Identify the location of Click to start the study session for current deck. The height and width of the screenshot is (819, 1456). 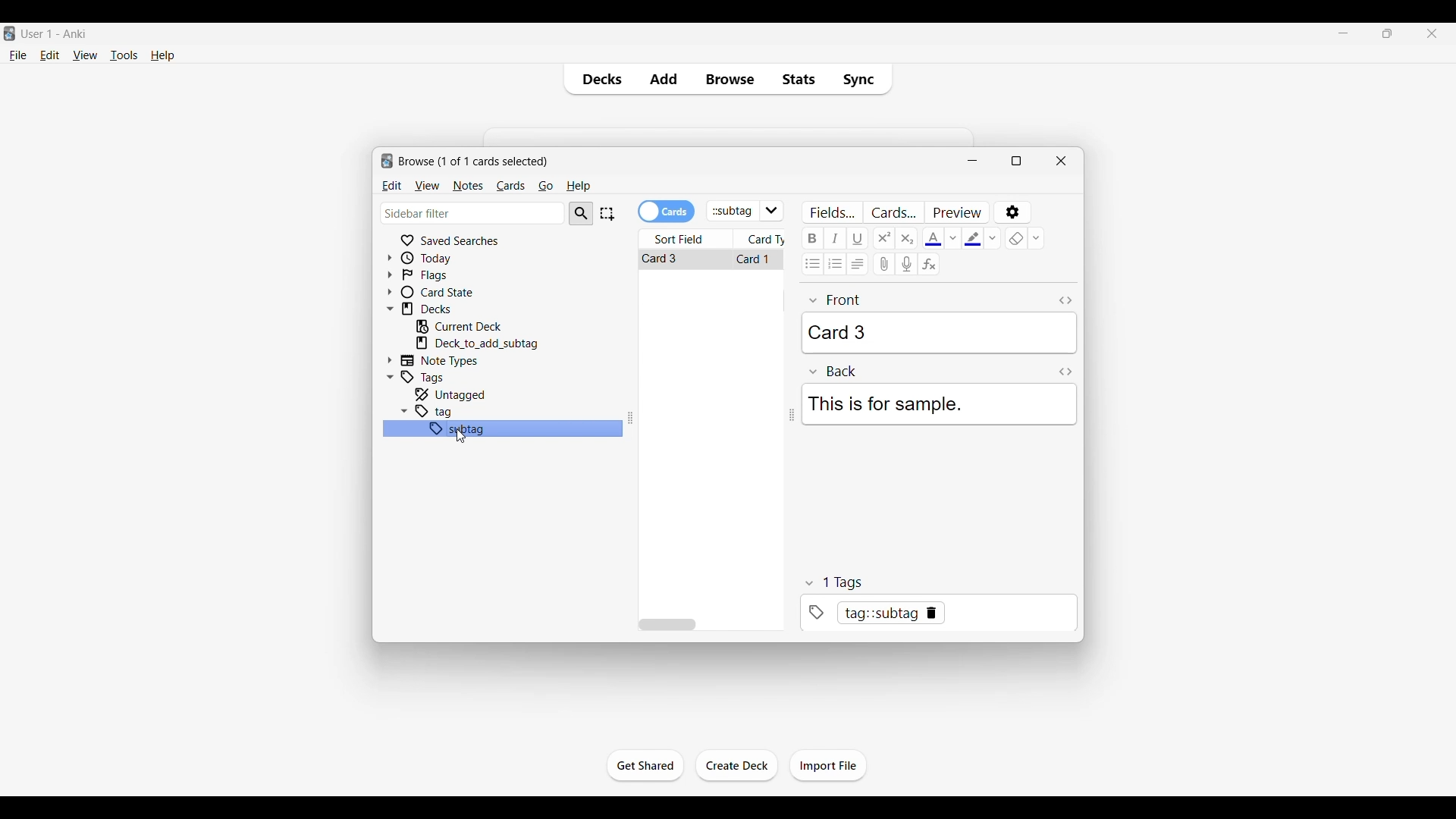
(645, 766).